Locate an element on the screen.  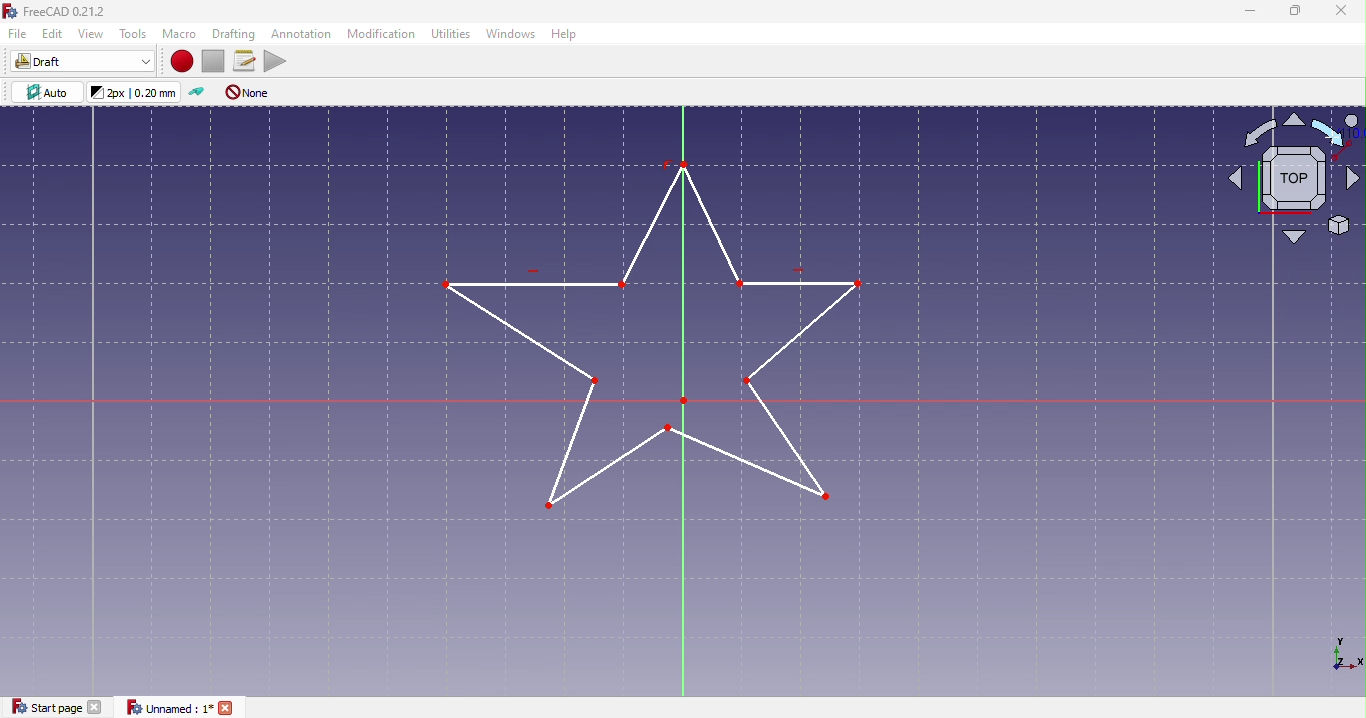
Annotation is located at coordinates (300, 36).